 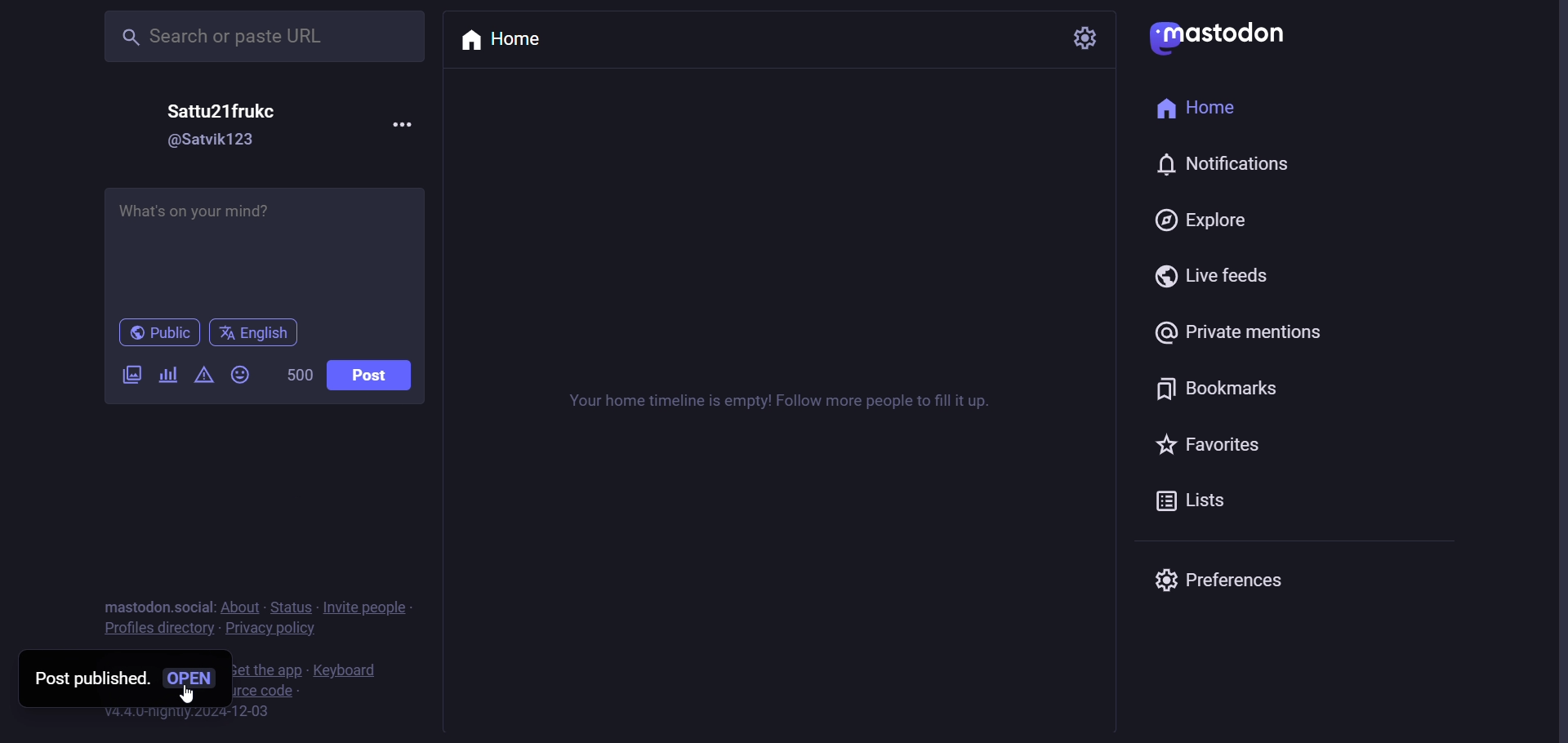 What do you see at coordinates (264, 691) in the screenshot?
I see `view source code` at bounding box center [264, 691].